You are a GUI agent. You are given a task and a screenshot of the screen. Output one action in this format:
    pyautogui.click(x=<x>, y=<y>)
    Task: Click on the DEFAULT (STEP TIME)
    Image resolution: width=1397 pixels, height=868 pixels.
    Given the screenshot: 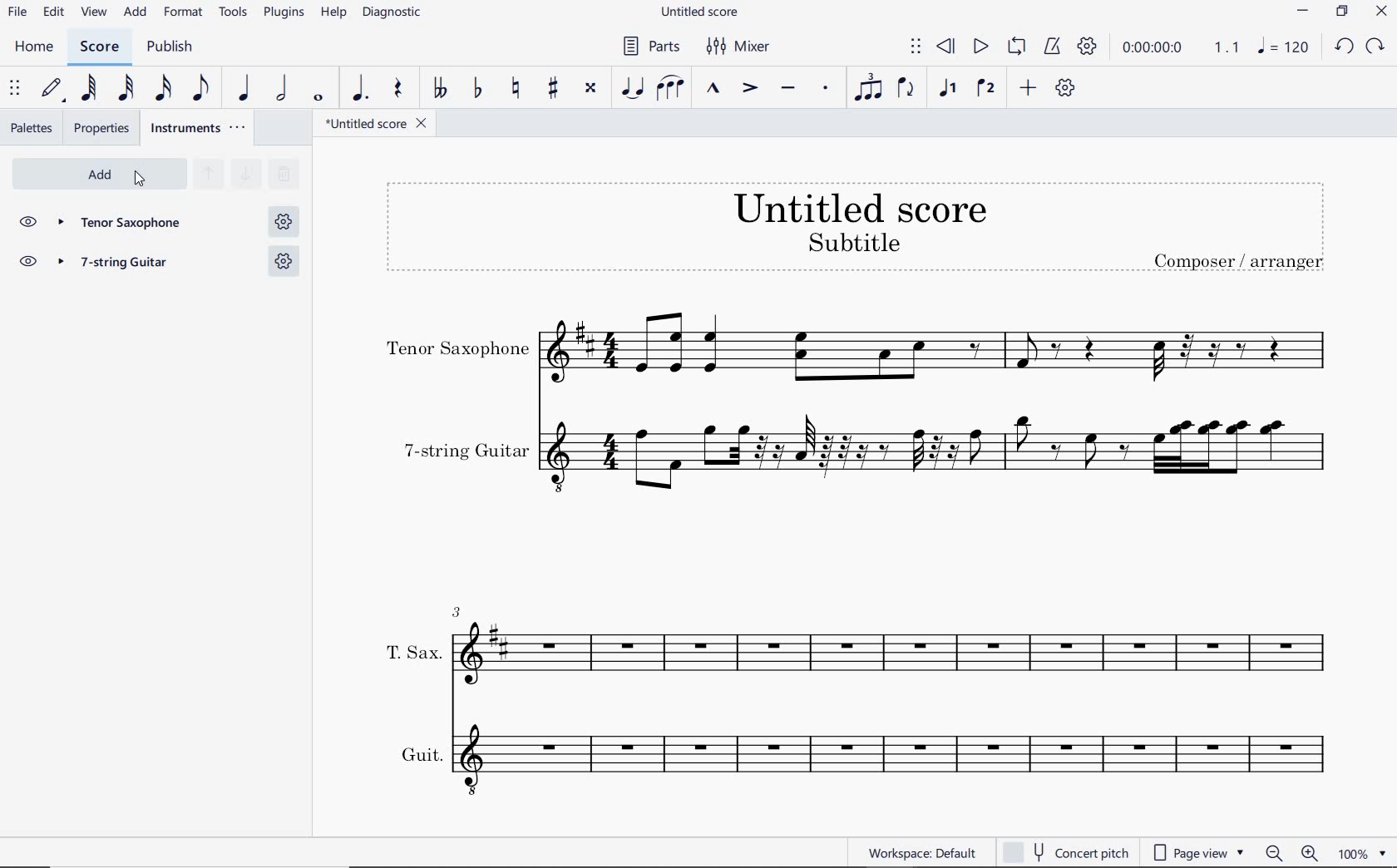 What is the action you would take?
    pyautogui.click(x=52, y=90)
    